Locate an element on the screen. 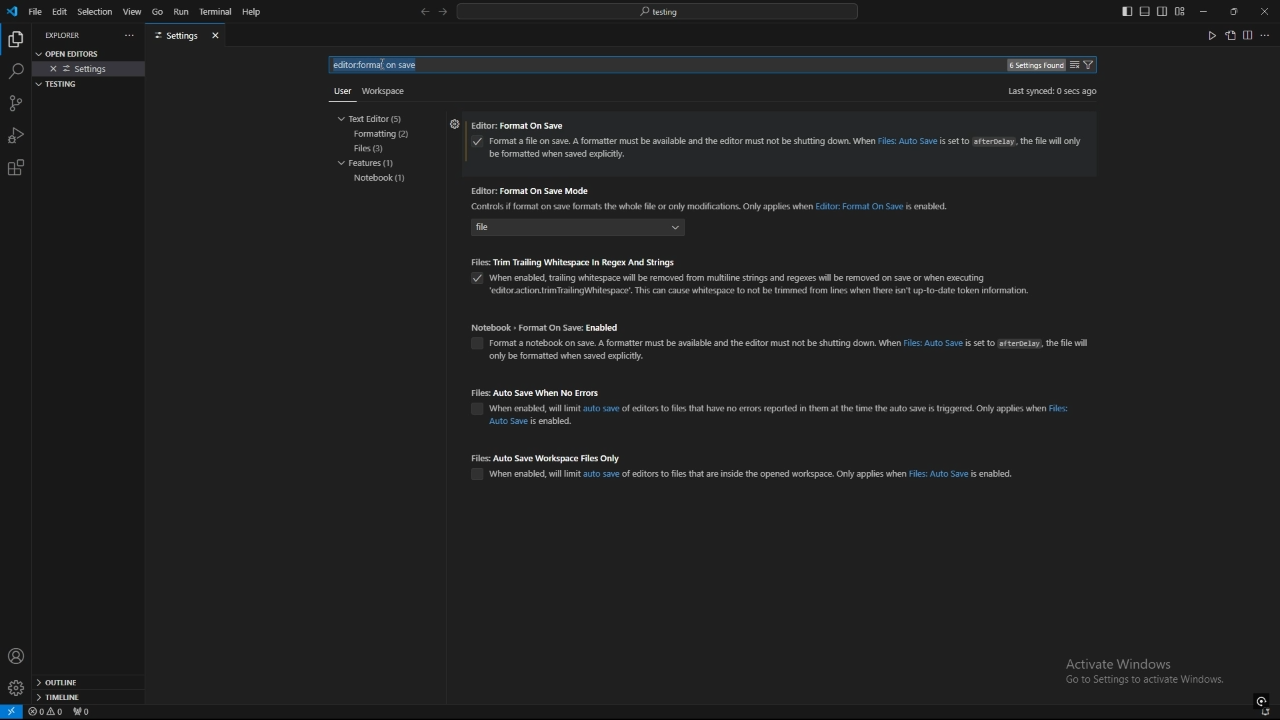 The width and height of the screenshot is (1280, 720). search is located at coordinates (15, 72).